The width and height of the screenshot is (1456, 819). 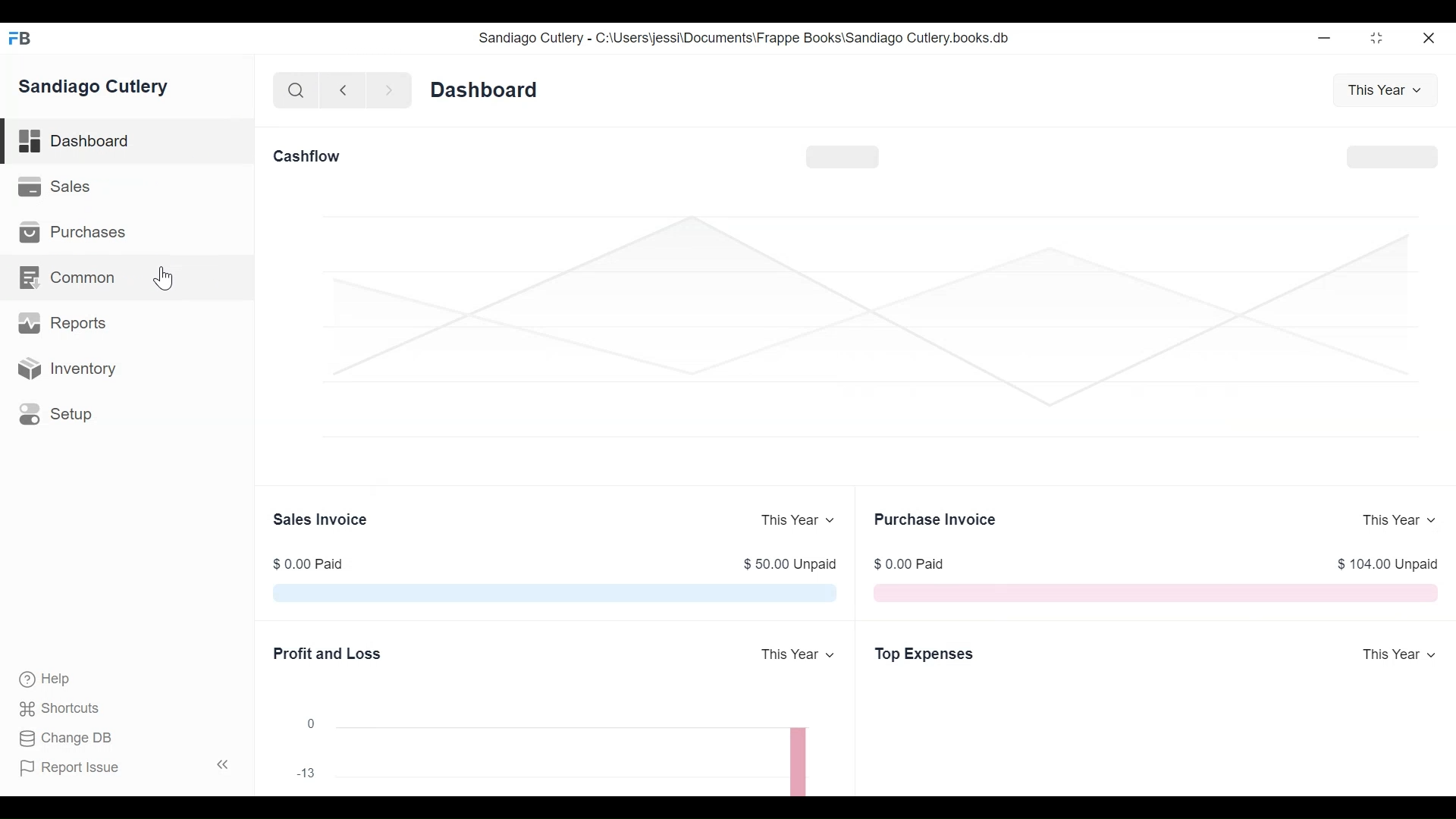 What do you see at coordinates (43, 678) in the screenshot?
I see `Help` at bounding box center [43, 678].